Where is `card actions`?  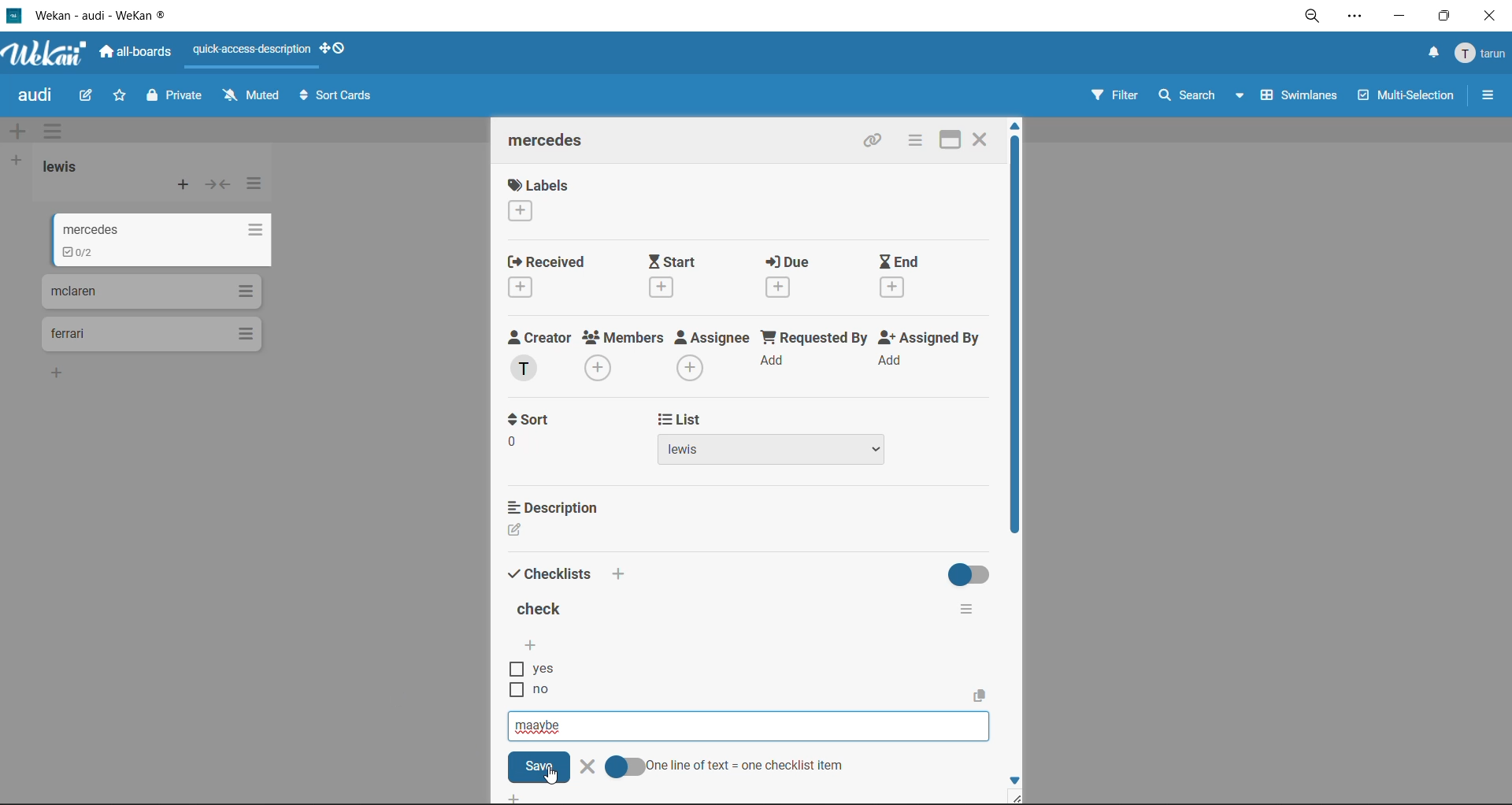
card actions is located at coordinates (910, 141).